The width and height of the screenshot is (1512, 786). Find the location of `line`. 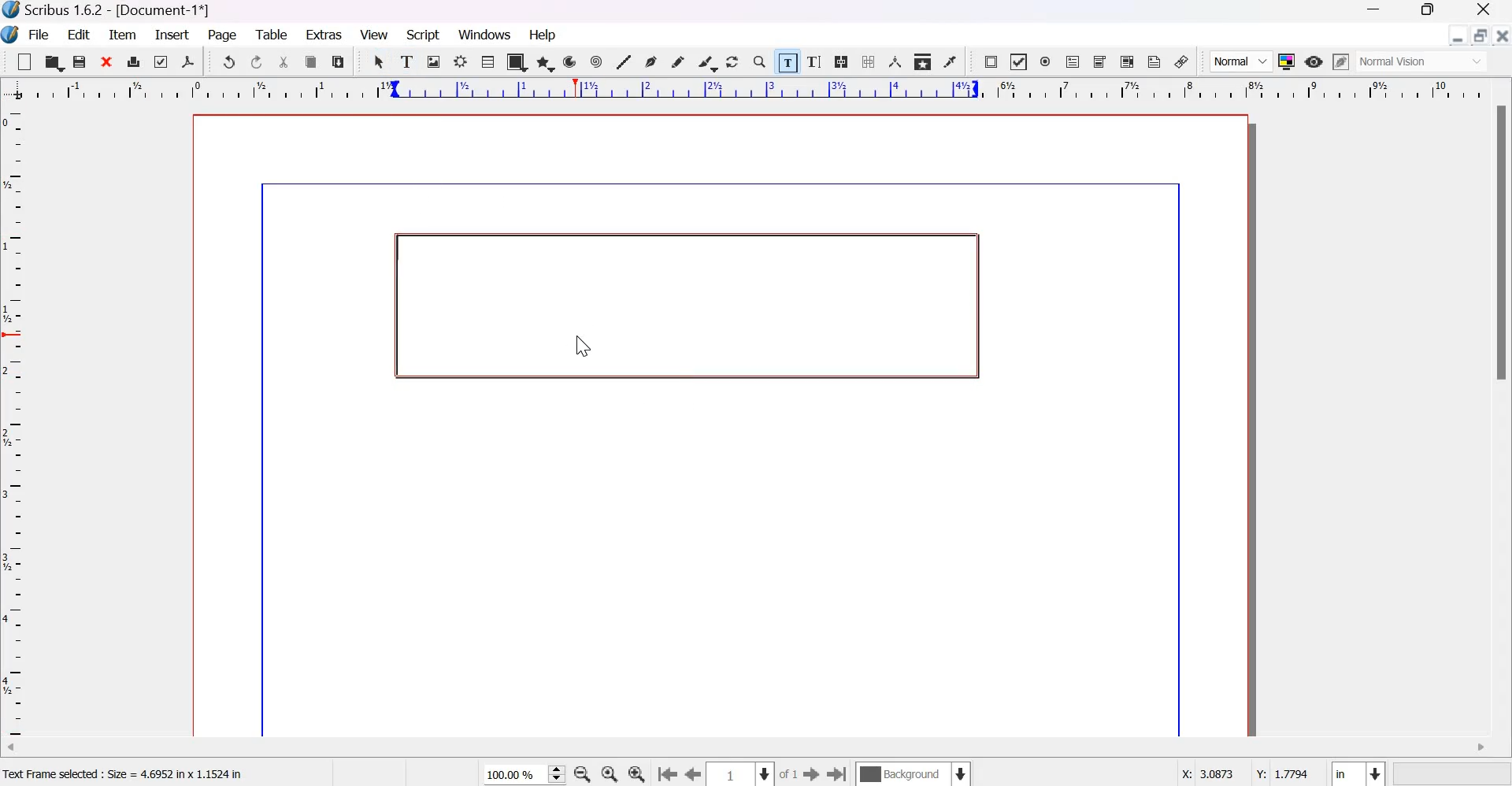

line is located at coordinates (623, 61).